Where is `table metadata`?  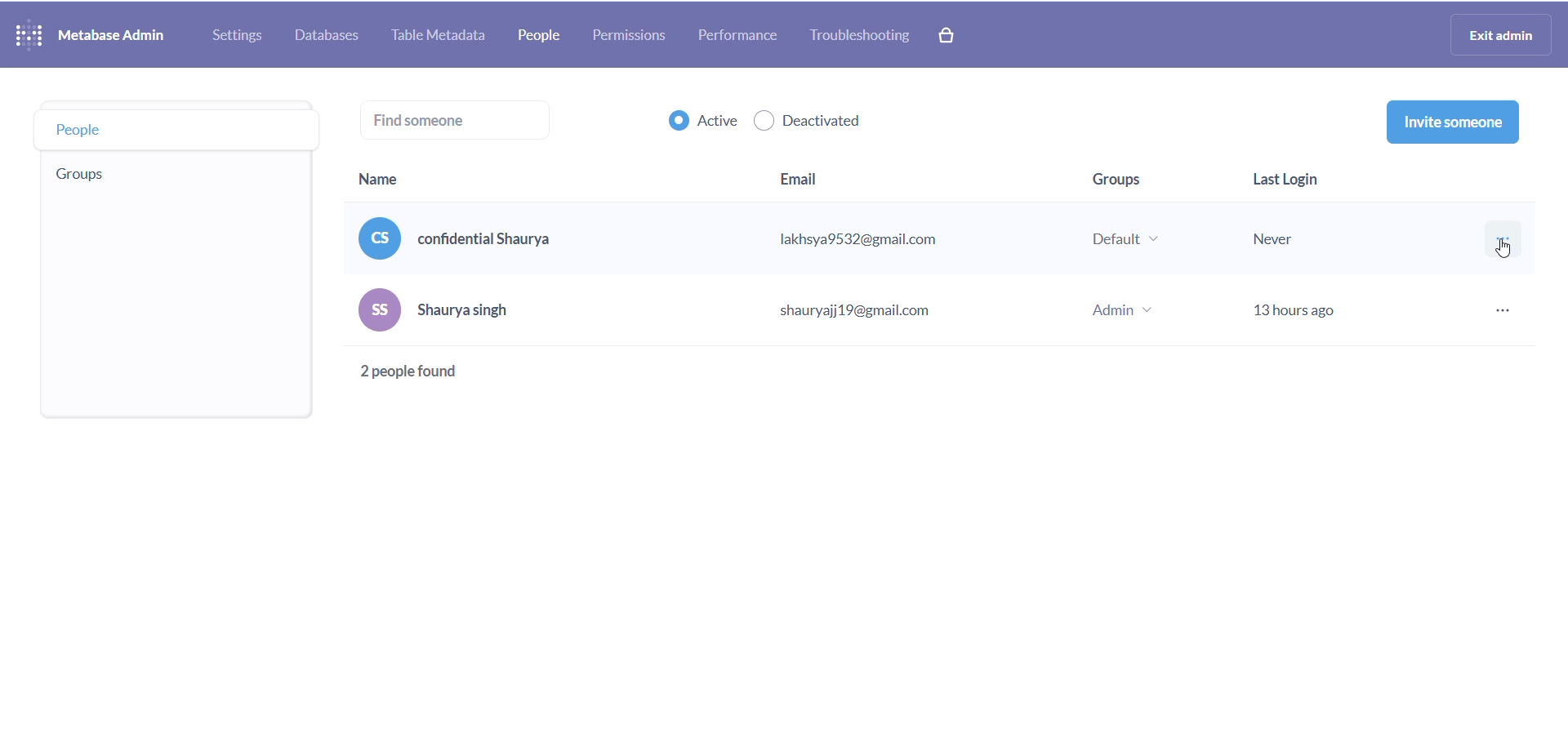
table metadata is located at coordinates (439, 34).